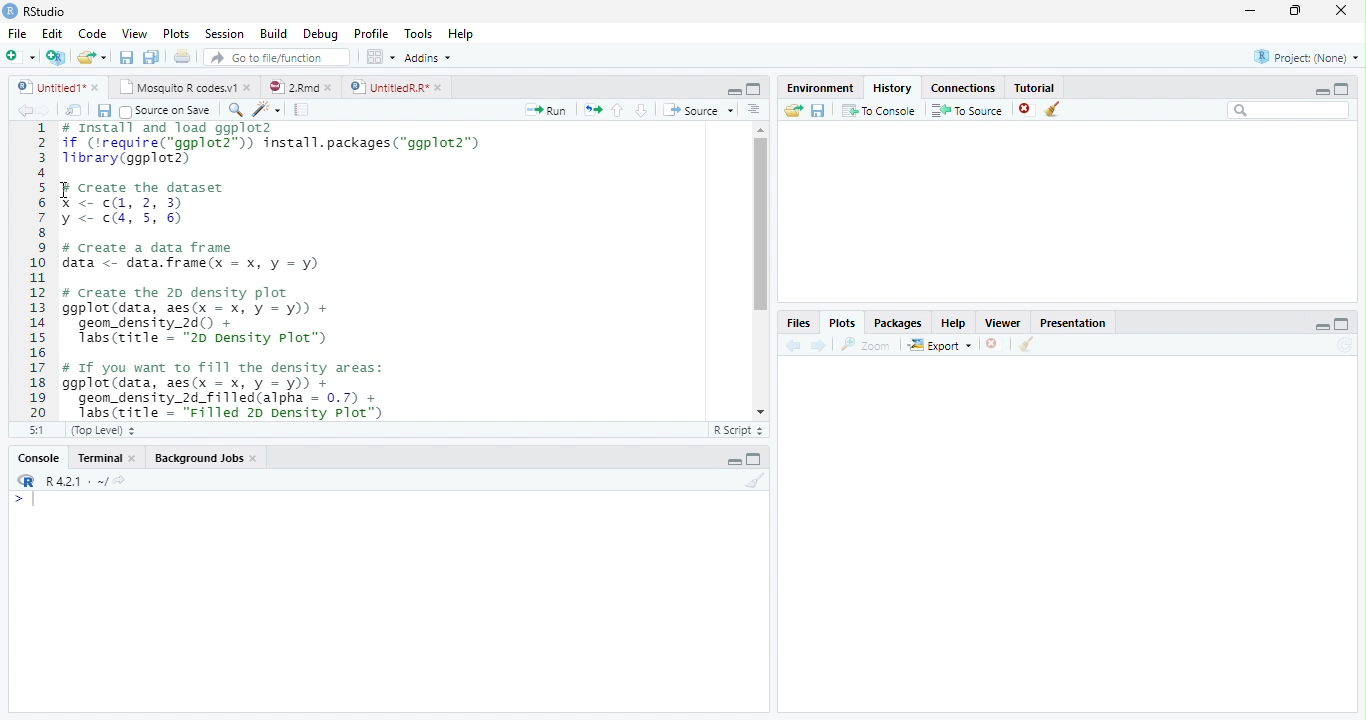 This screenshot has height=720, width=1366. I want to click on Debug, so click(321, 35).